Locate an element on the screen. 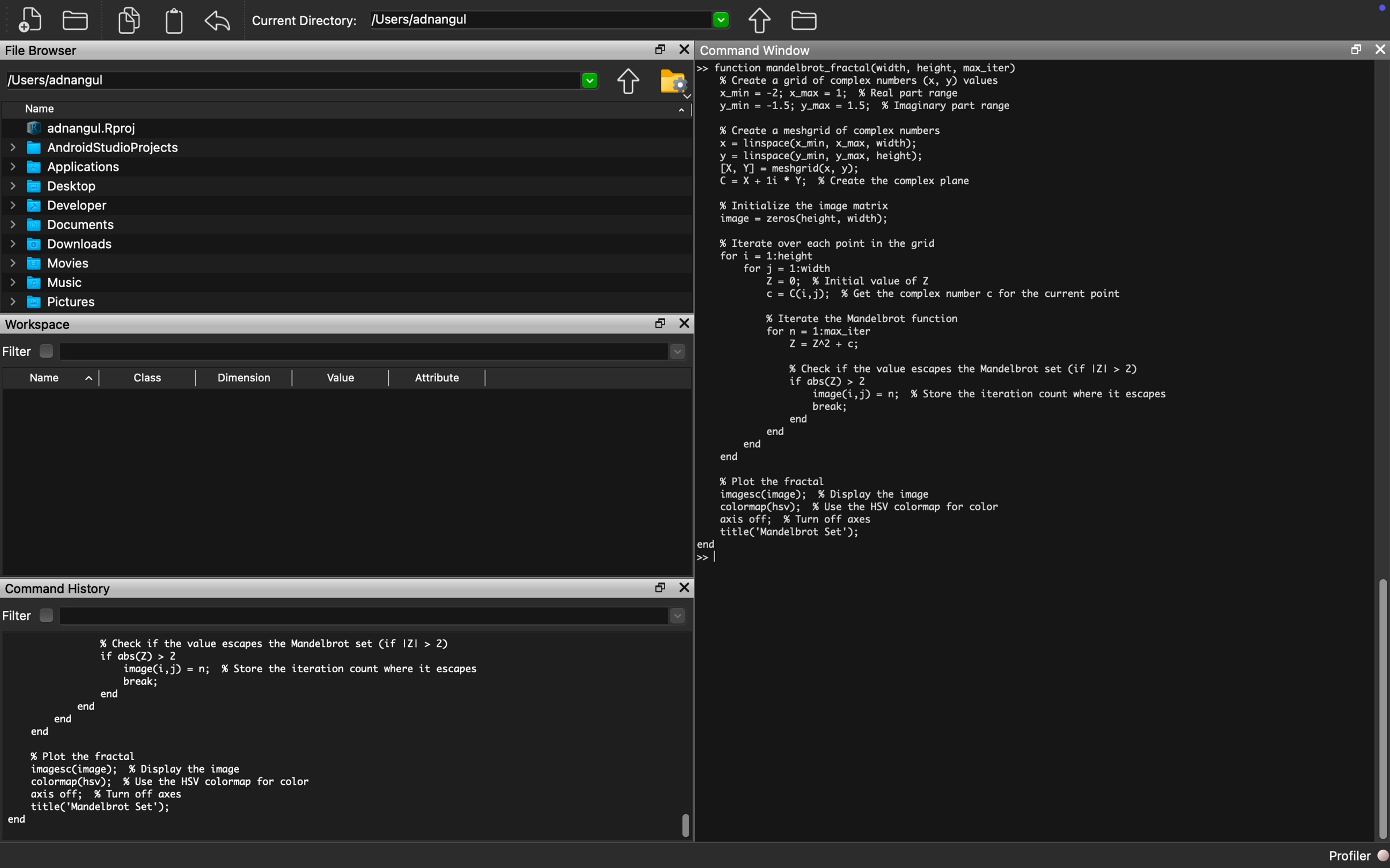 This screenshot has width=1390, height=868. Filter is located at coordinates (17, 613).